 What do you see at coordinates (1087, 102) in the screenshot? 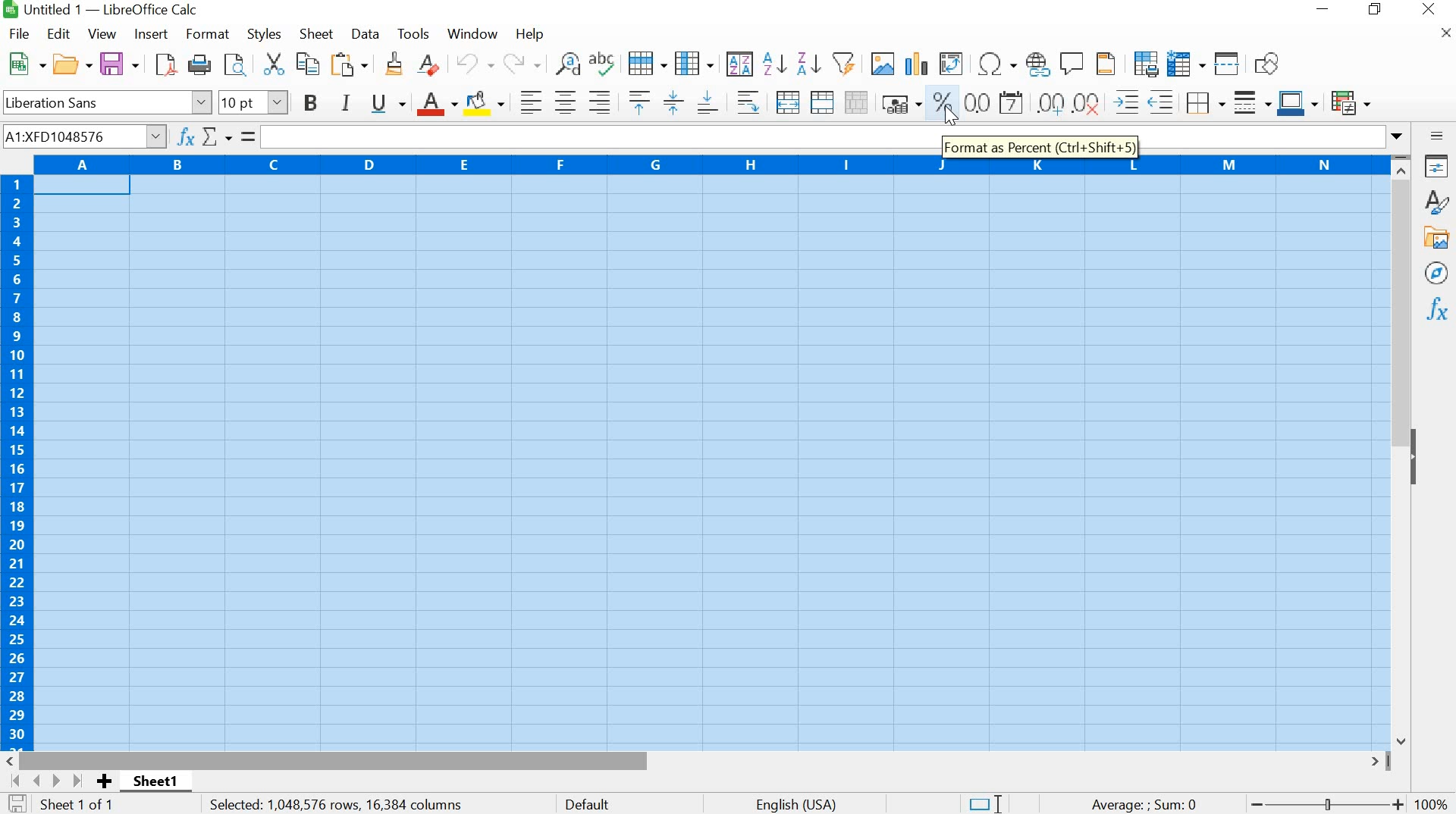
I see `Delete Decimal Place` at bounding box center [1087, 102].